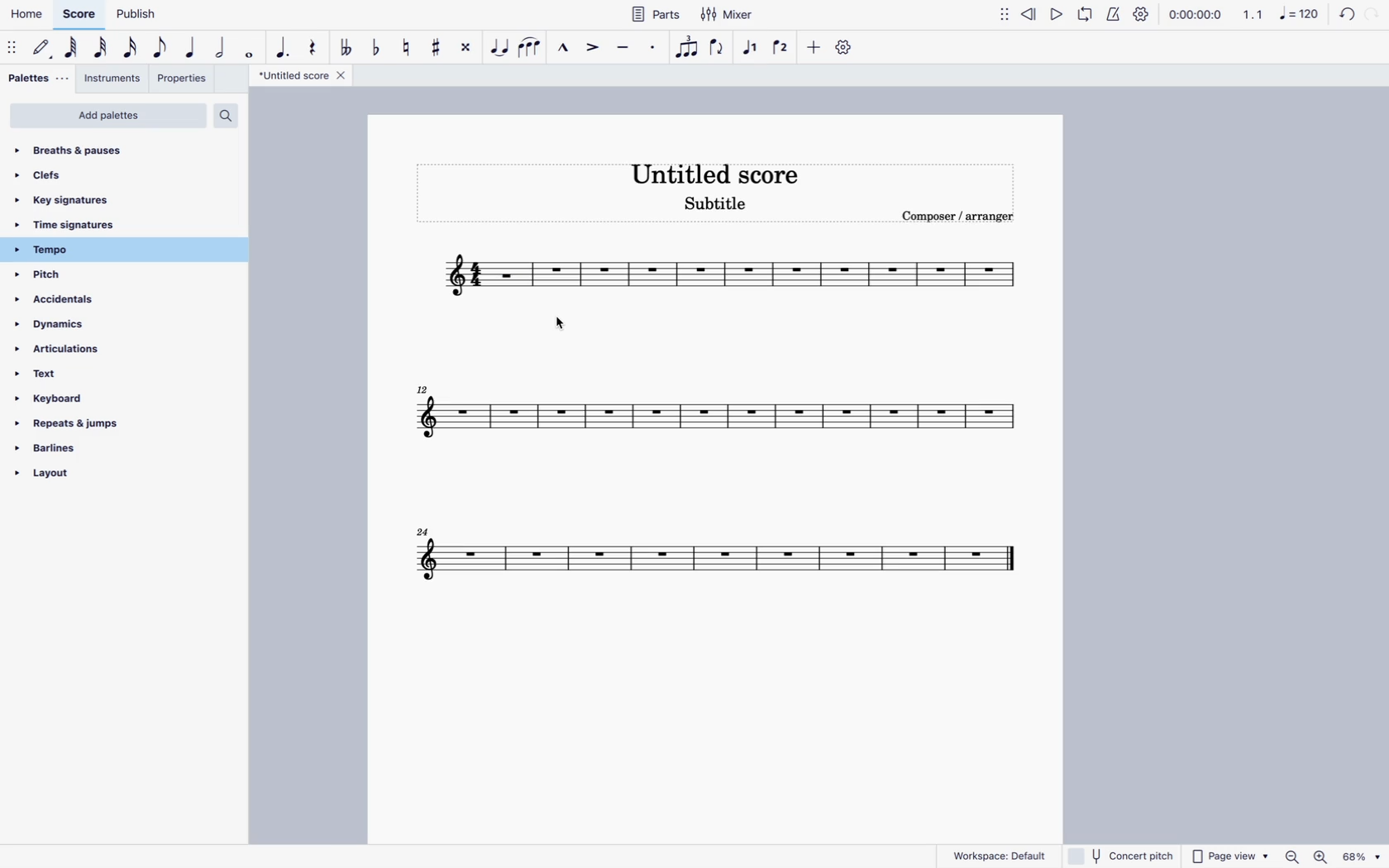 This screenshot has height=868, width=1389. What do you see at coordinates (90, 352) in the screenshot?
I see `articulations` at bounding box center [90, 352].